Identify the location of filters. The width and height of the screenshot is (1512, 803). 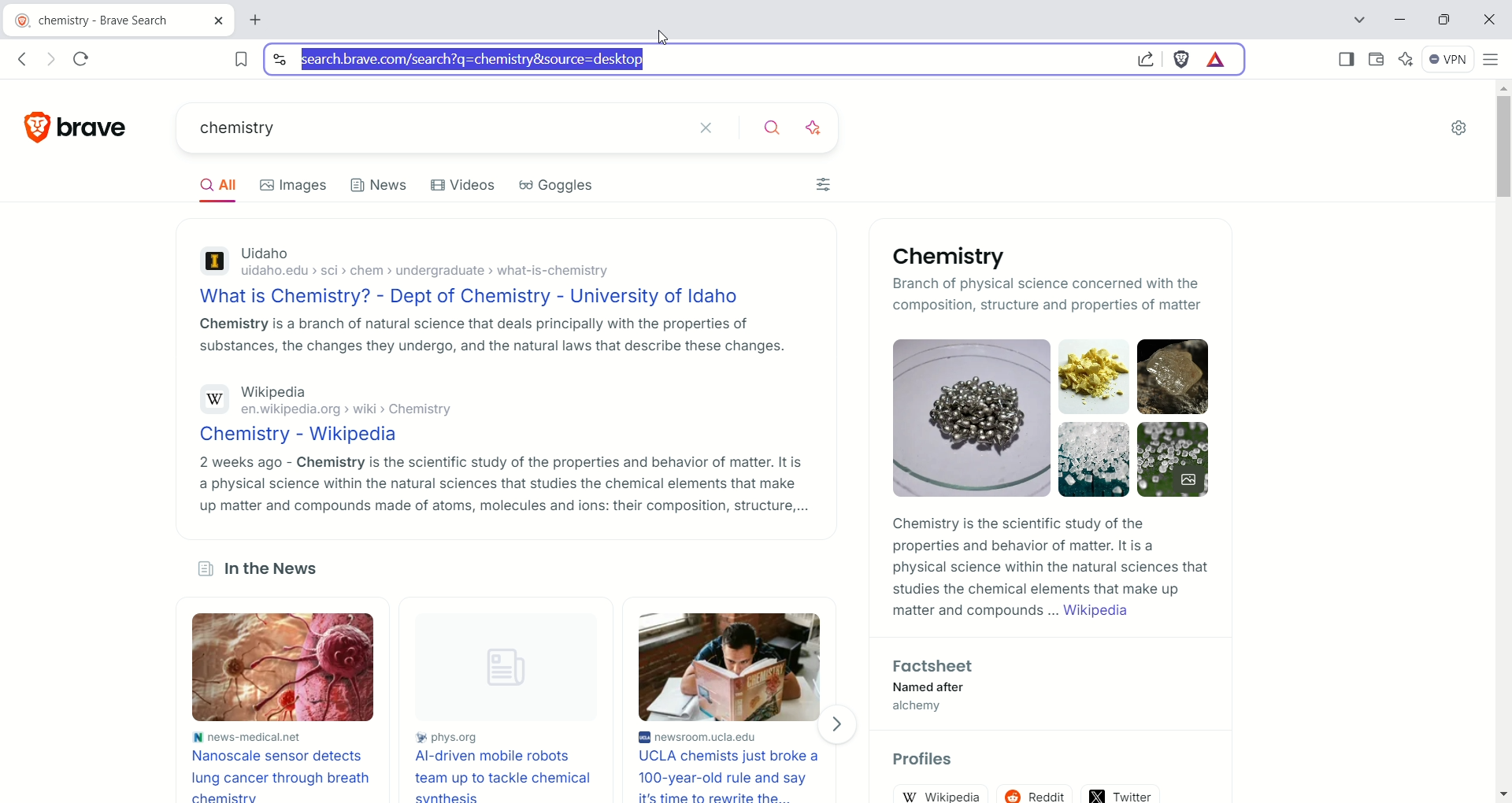
(823, 184).